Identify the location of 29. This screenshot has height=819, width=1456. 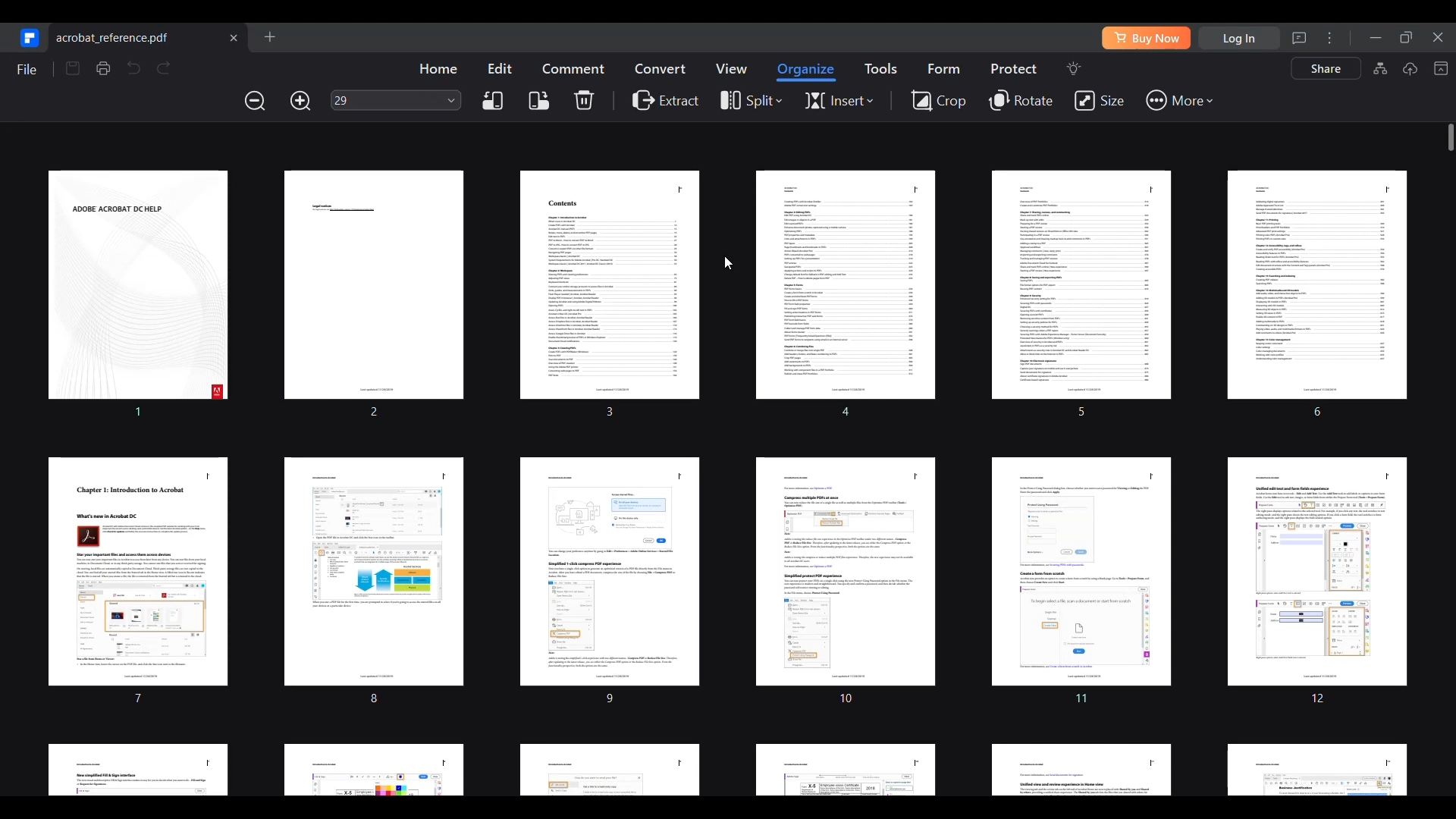
(385, 100).